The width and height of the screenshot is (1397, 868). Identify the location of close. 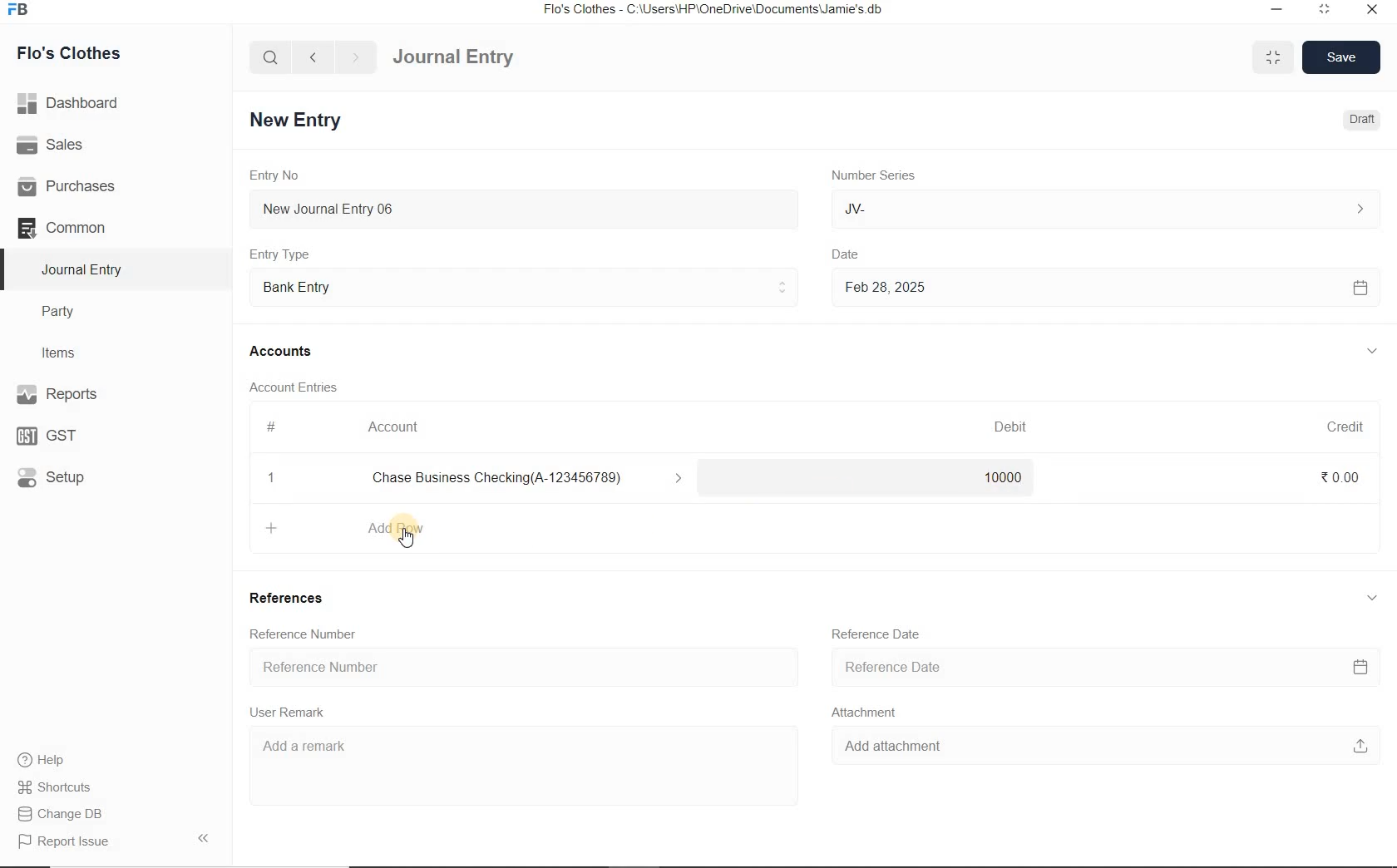
(1371, 8).